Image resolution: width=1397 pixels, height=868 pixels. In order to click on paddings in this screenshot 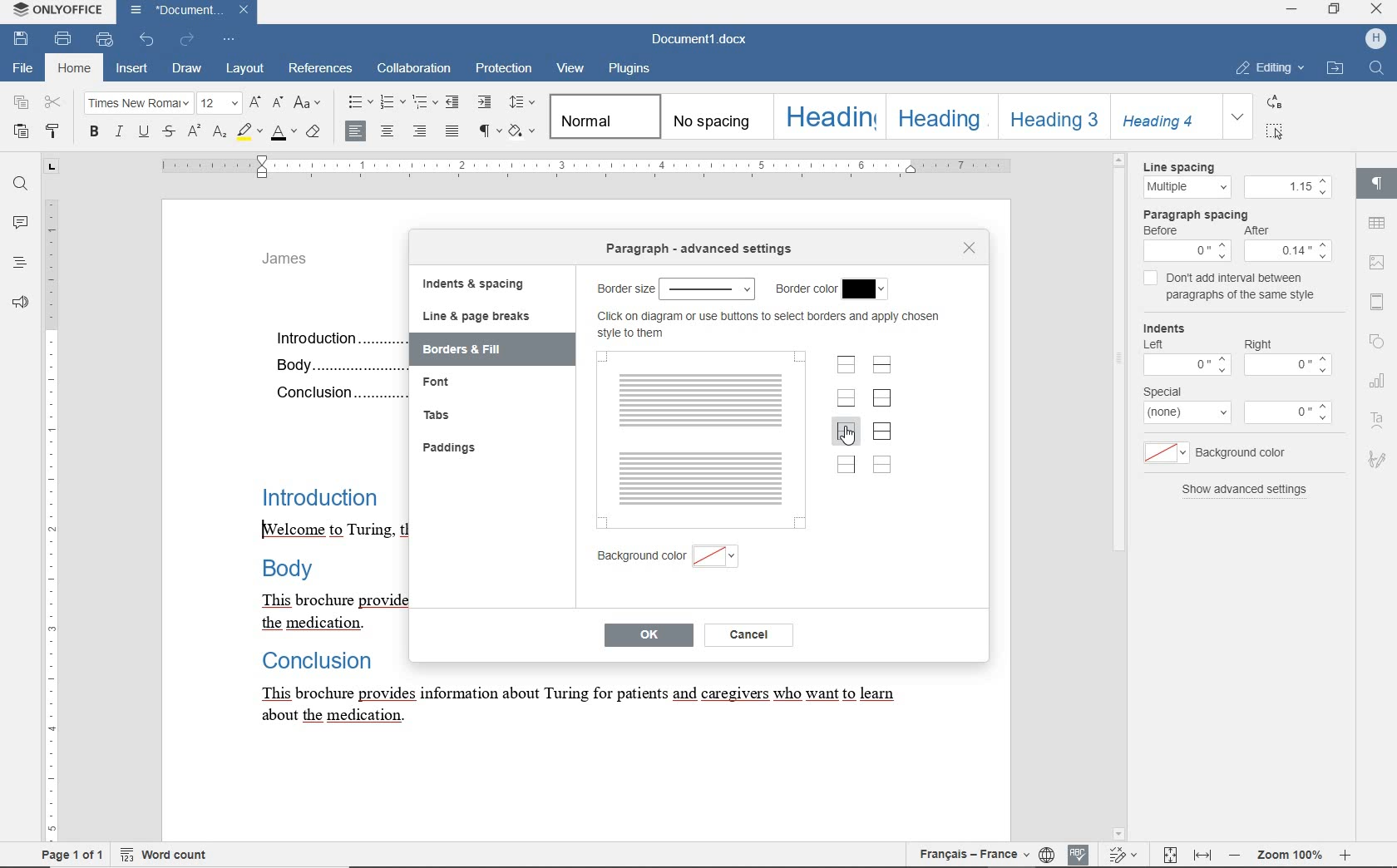, I will do `click(452, 446)`.